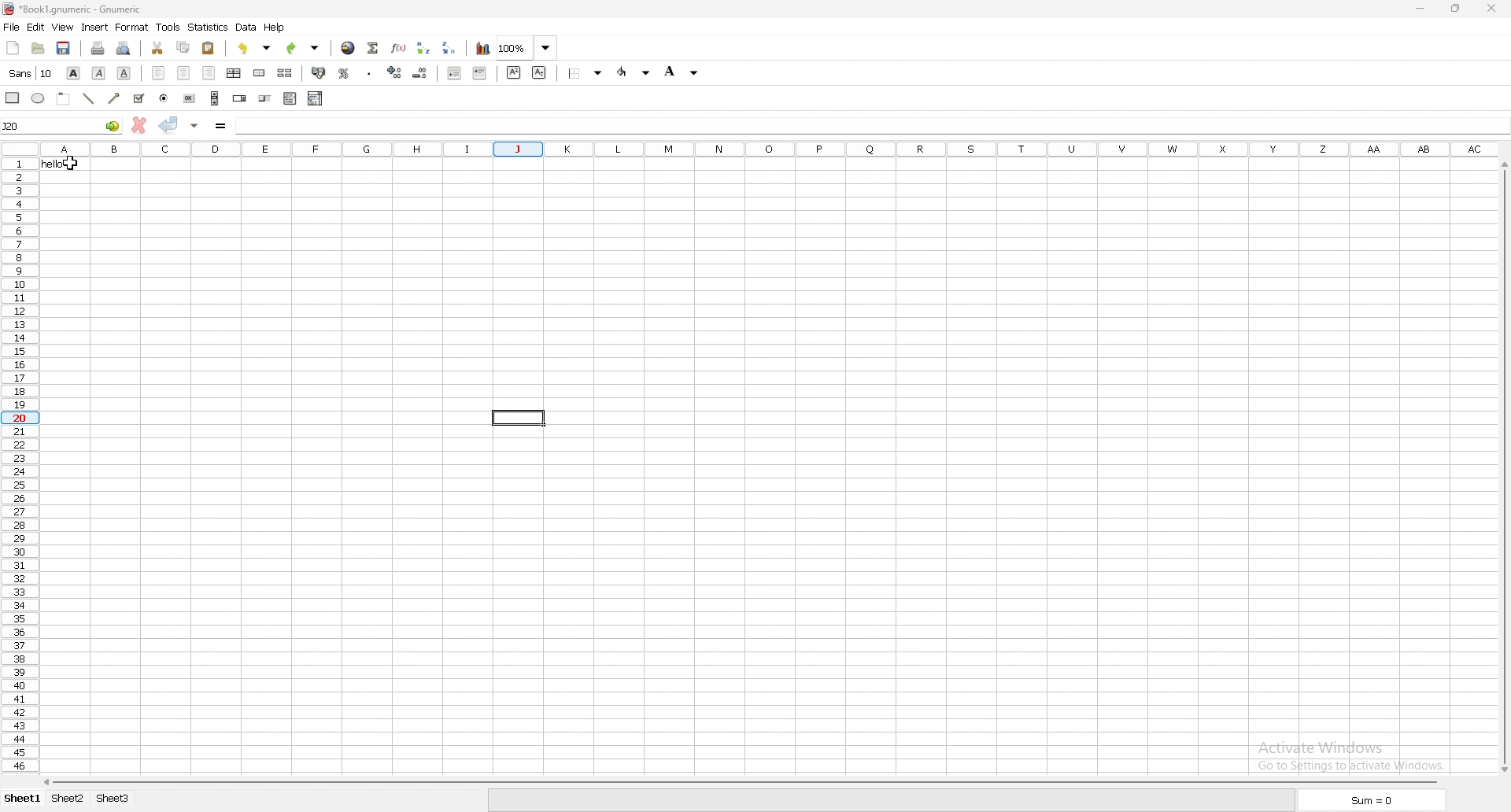  What do you see at coordinates (220, 125) in the screenshot?
I see `formula` at bounding box center [220, 125].